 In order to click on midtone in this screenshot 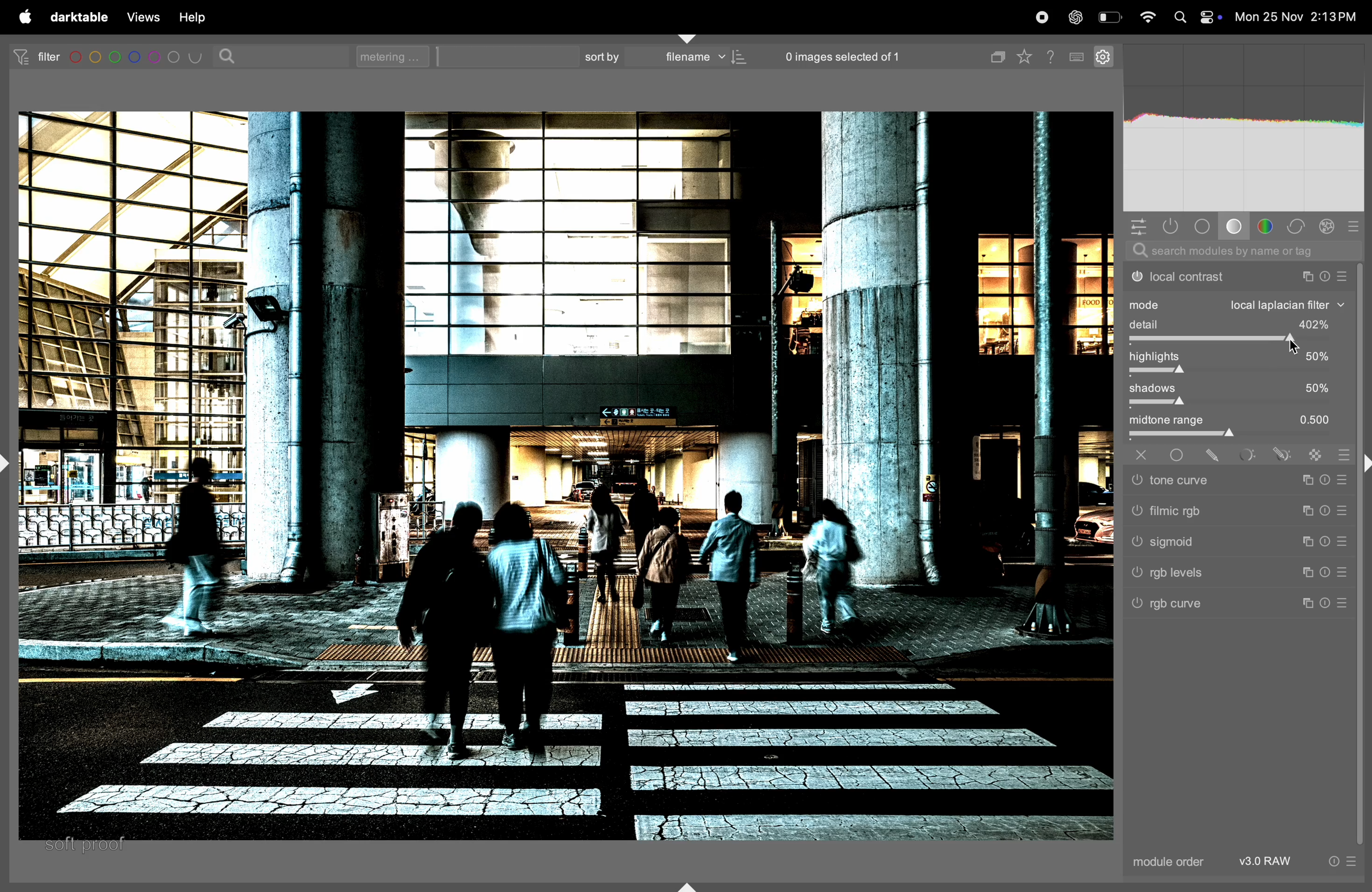, I will do `click(1237, 421)`.